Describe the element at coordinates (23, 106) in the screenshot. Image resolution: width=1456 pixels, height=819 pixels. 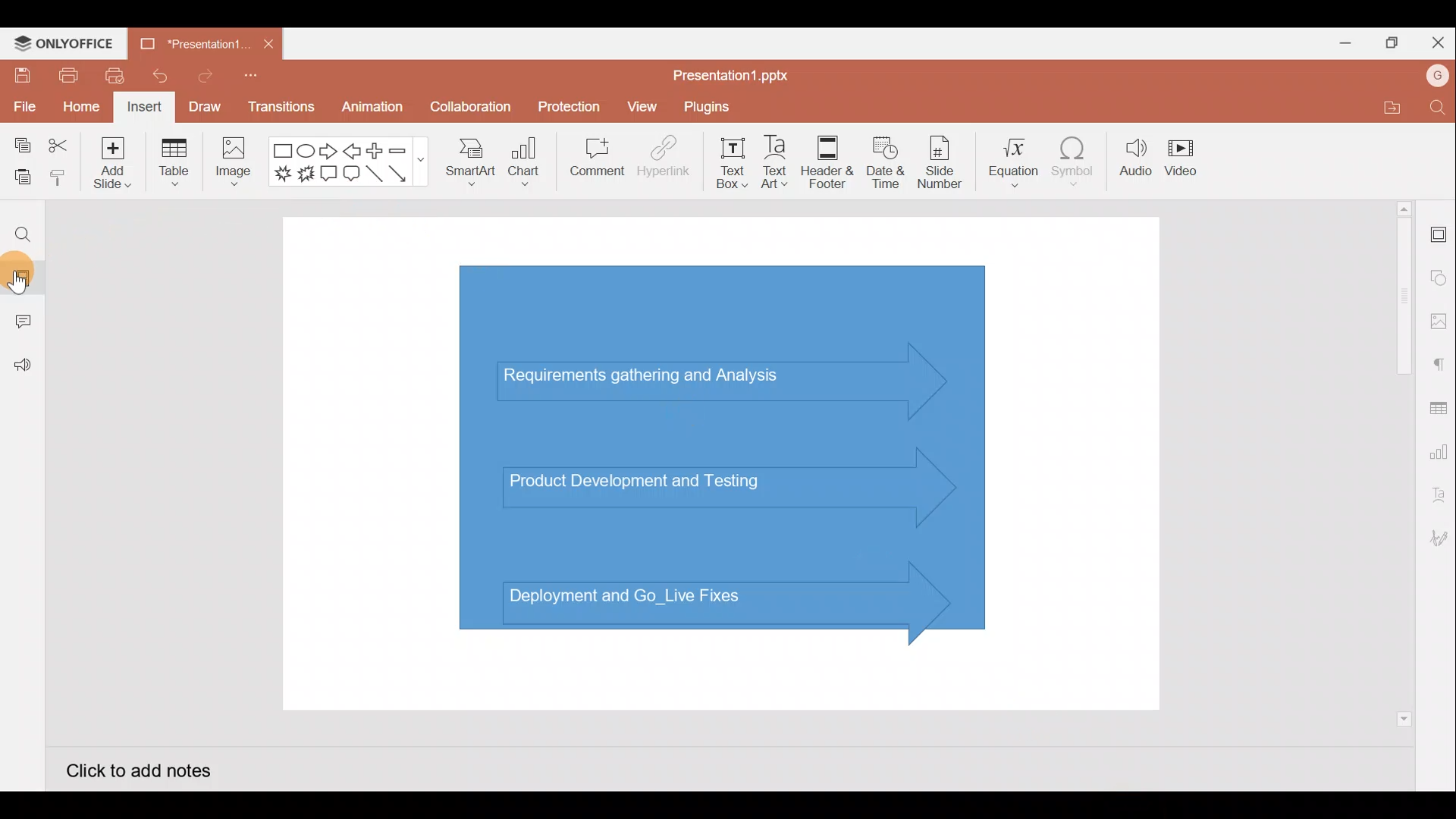
I see `File` at that location.